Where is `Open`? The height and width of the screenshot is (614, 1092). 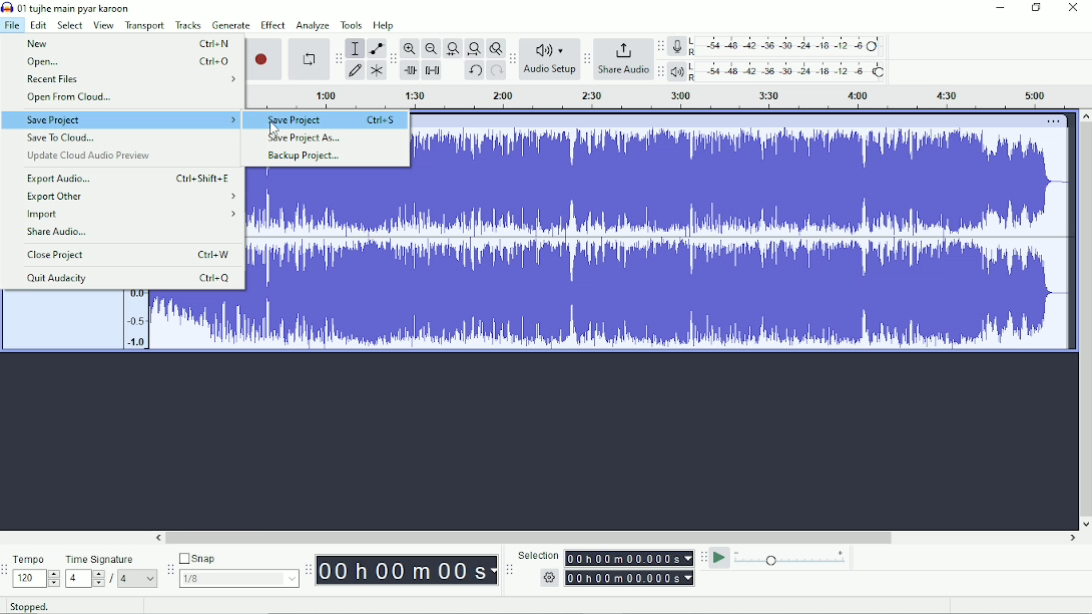 Open is located at coordinates (128, 60).